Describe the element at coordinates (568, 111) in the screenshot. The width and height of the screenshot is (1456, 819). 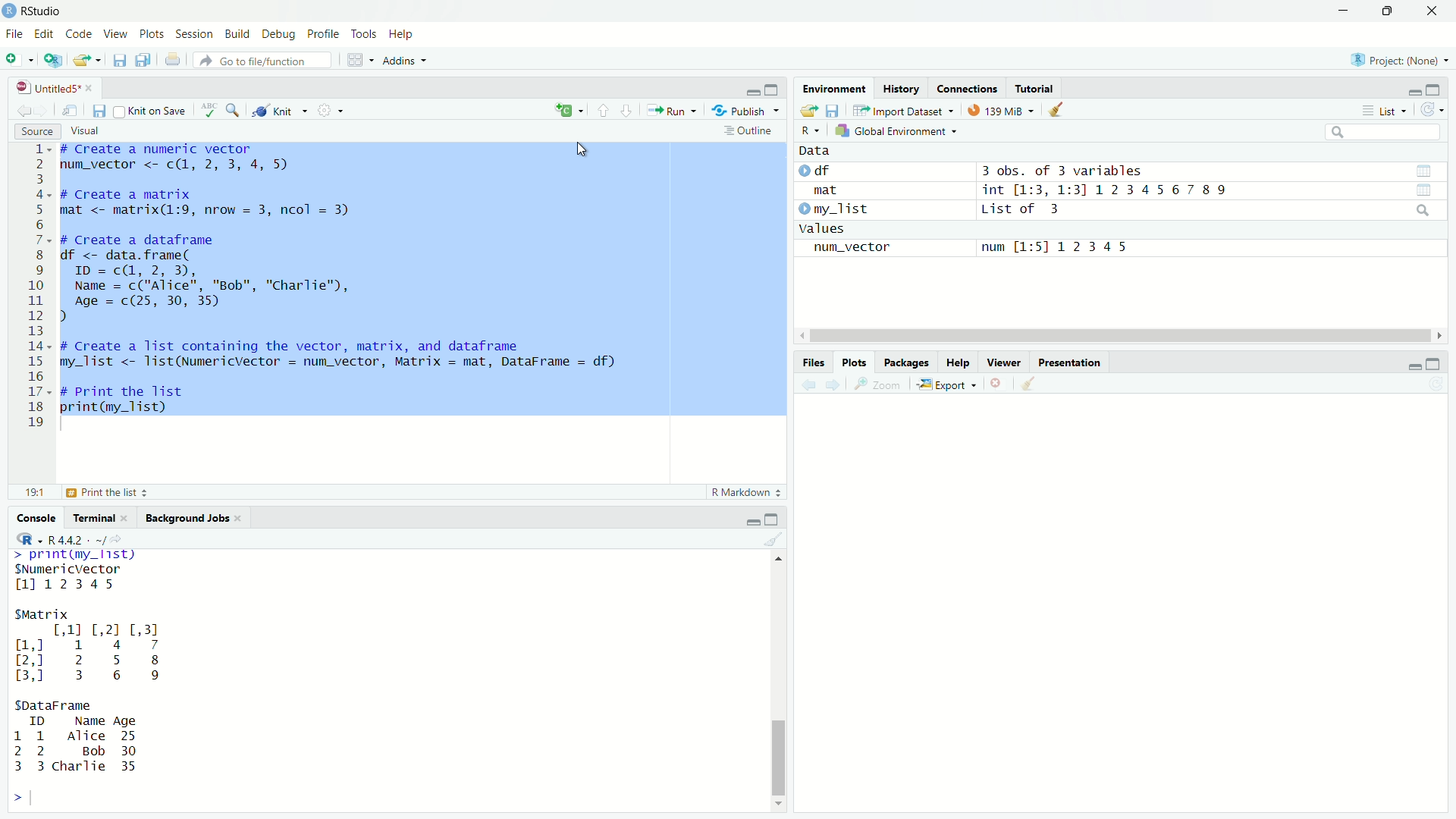
I see `add` at that location.